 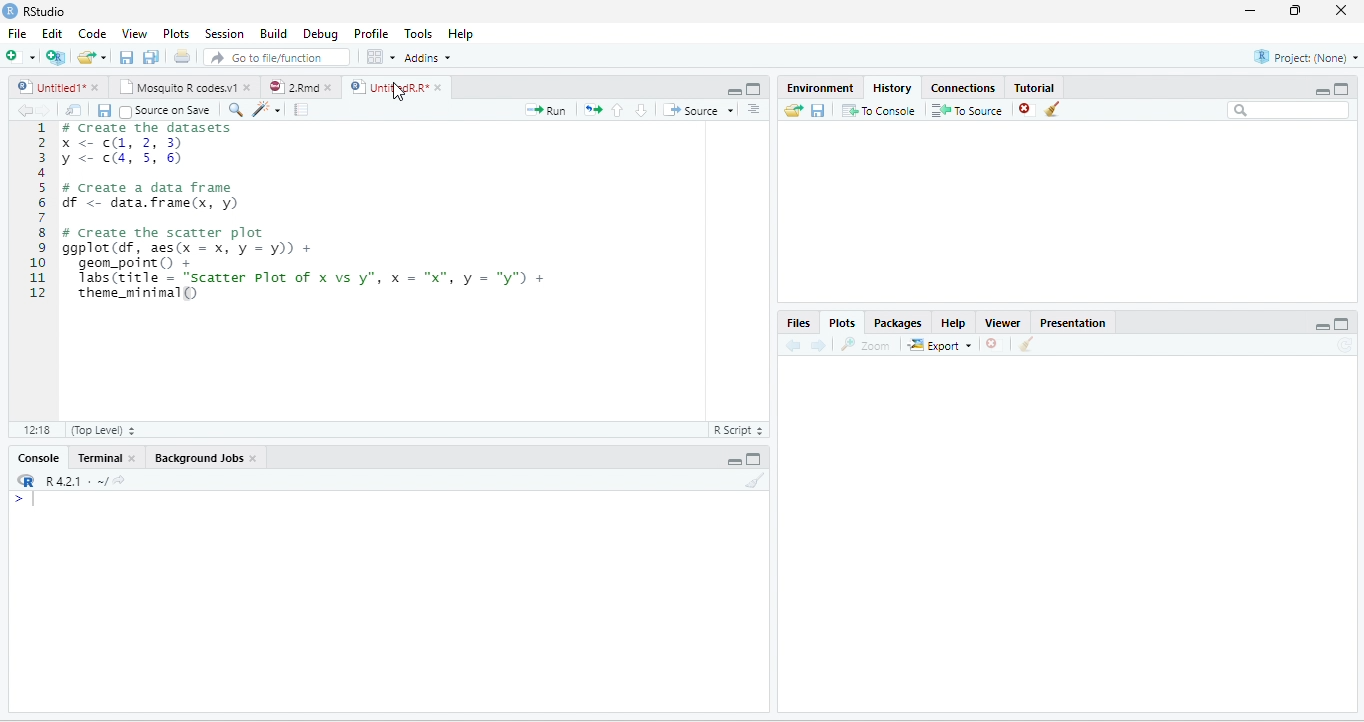 I want to click on To Console, so click(x=879, y=111).